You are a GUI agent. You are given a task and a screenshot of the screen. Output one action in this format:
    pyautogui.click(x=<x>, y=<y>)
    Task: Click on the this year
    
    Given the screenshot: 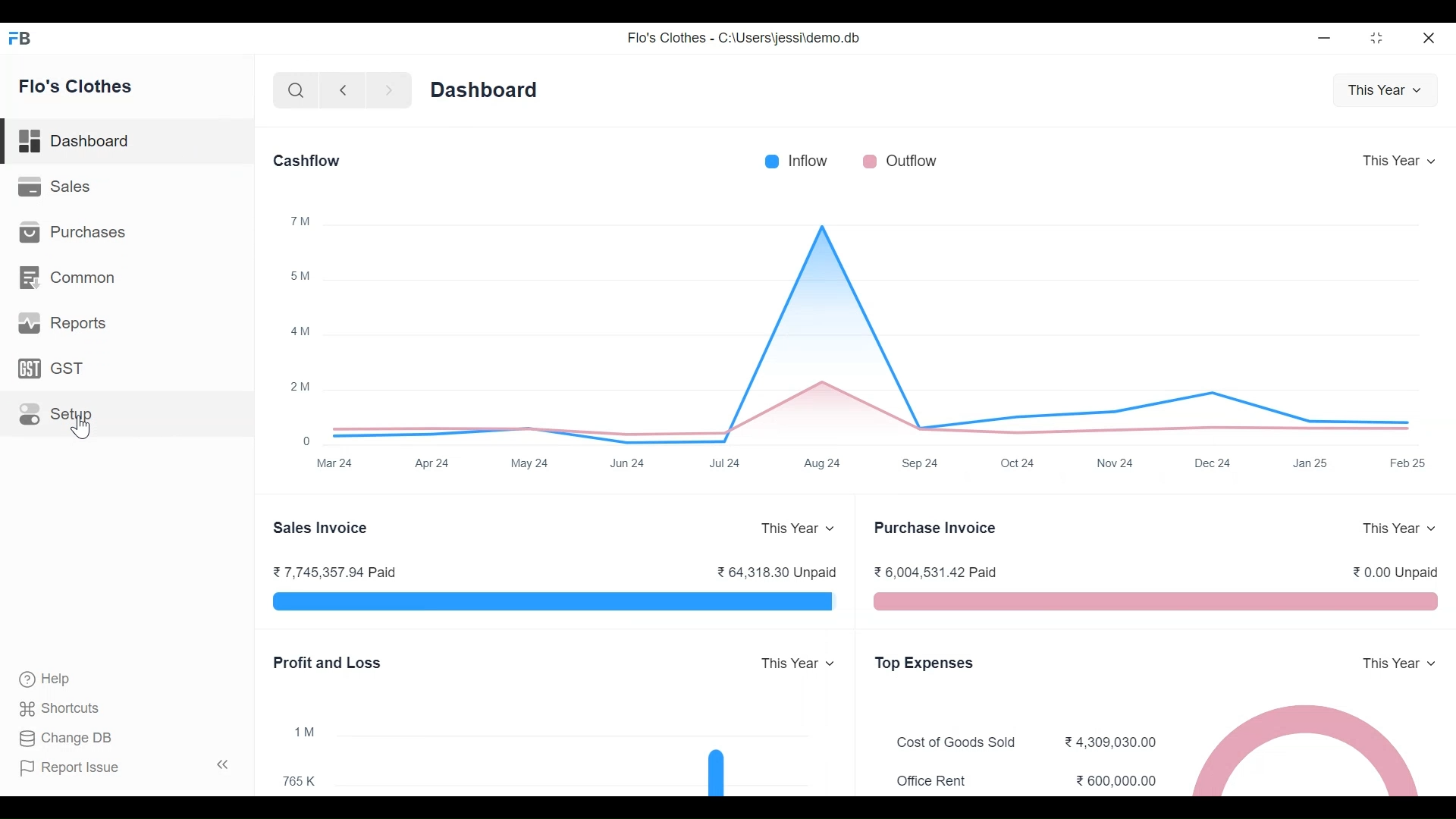 What is the action you would take?
    pyautogui.click(x=1399, y=526)
    